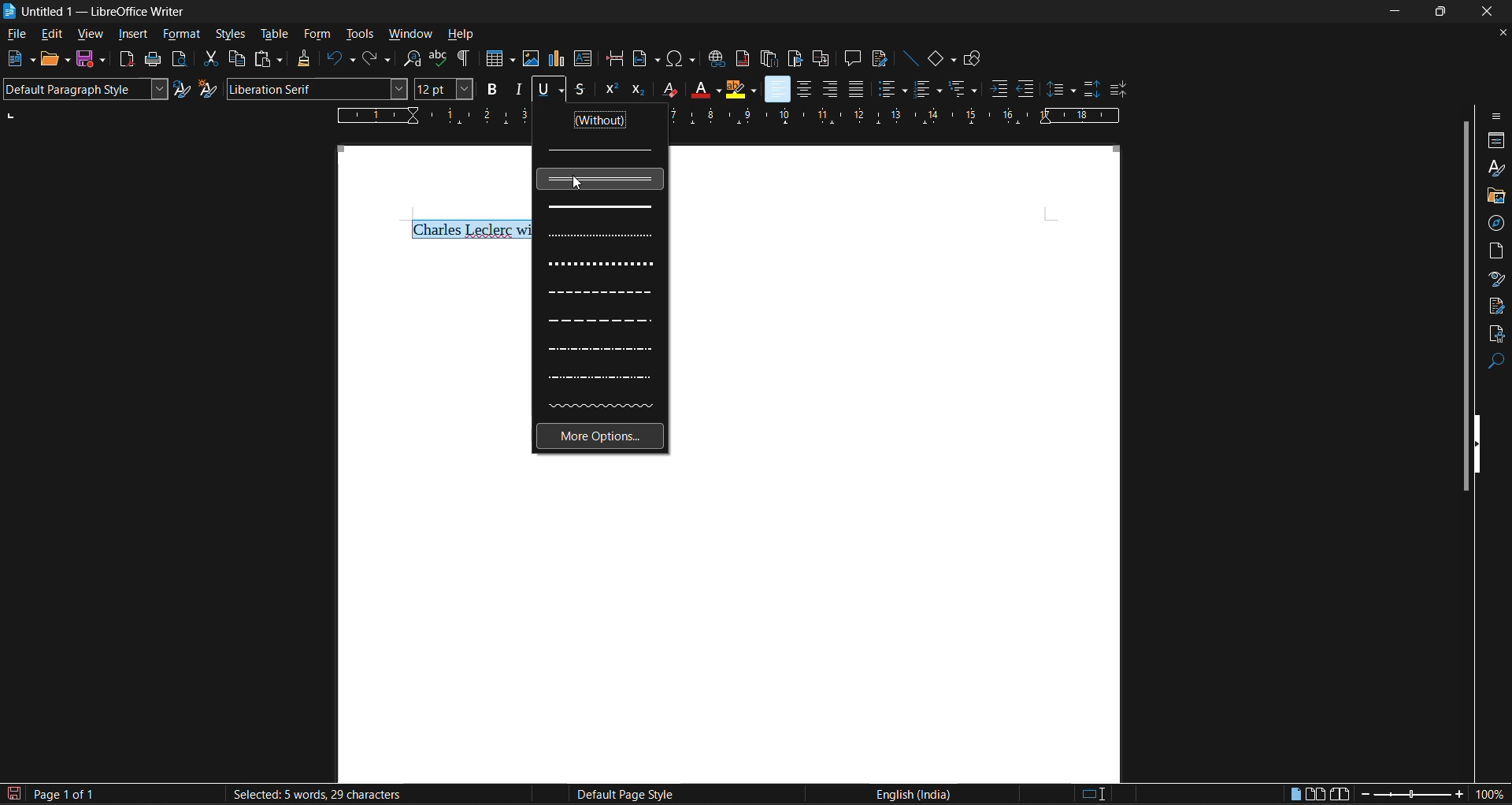  What do you see at coordinates (16, 795) in the screenshot?
I see `click to save` at bounding box center [16, 795].